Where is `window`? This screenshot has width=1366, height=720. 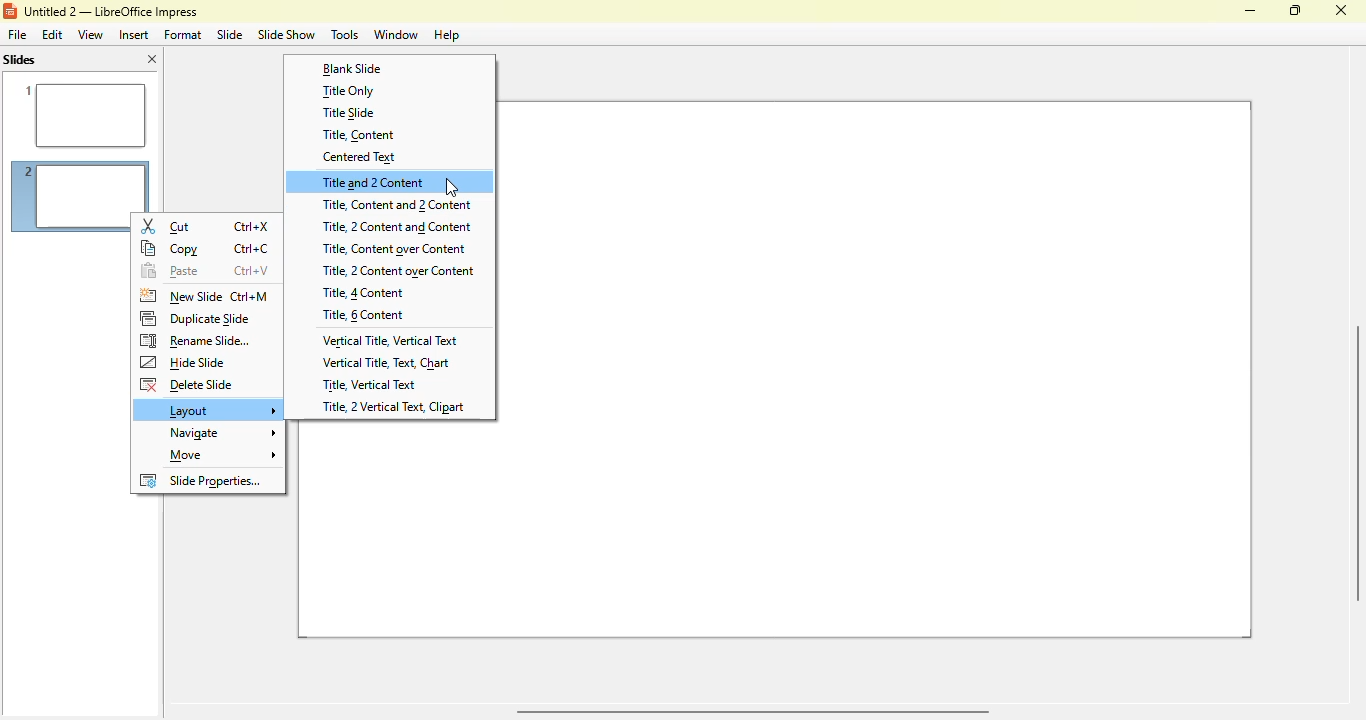 window is located at coordinates (395, 35).